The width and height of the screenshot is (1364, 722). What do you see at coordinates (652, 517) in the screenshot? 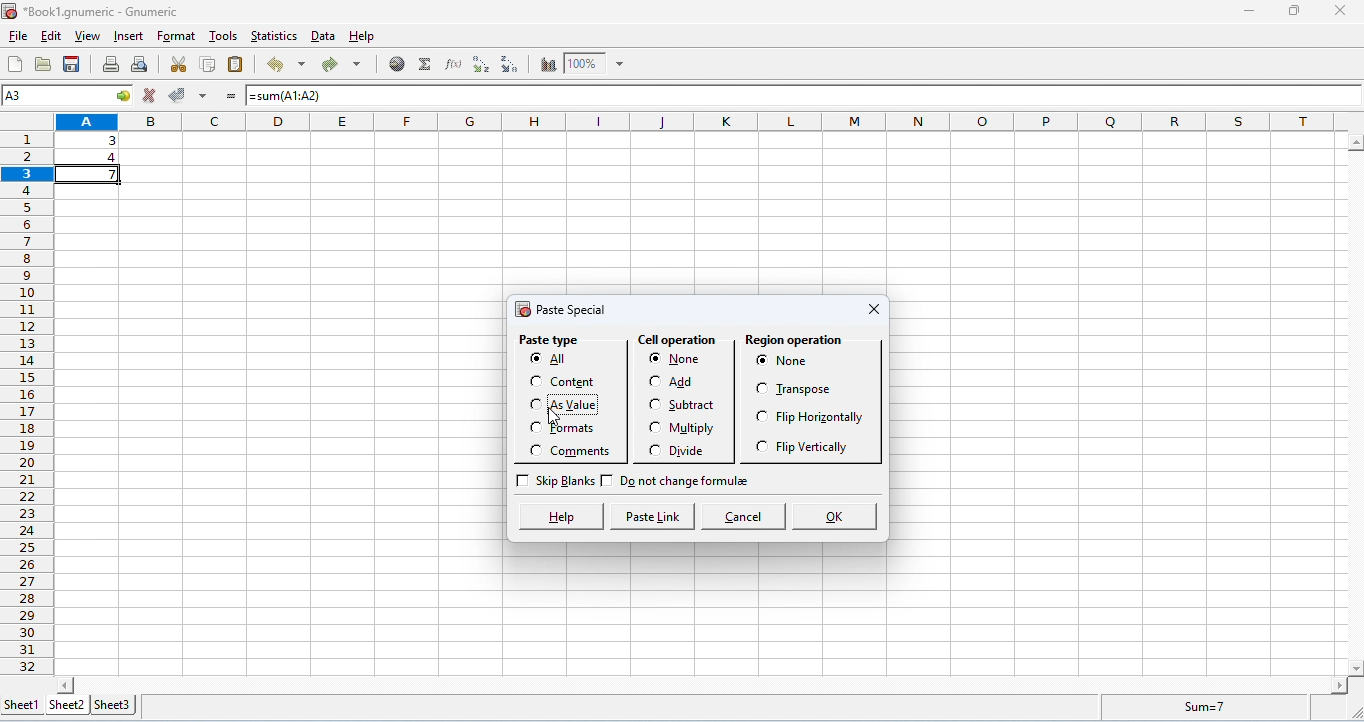
I see `paste link` at bounding box center [652, 517].